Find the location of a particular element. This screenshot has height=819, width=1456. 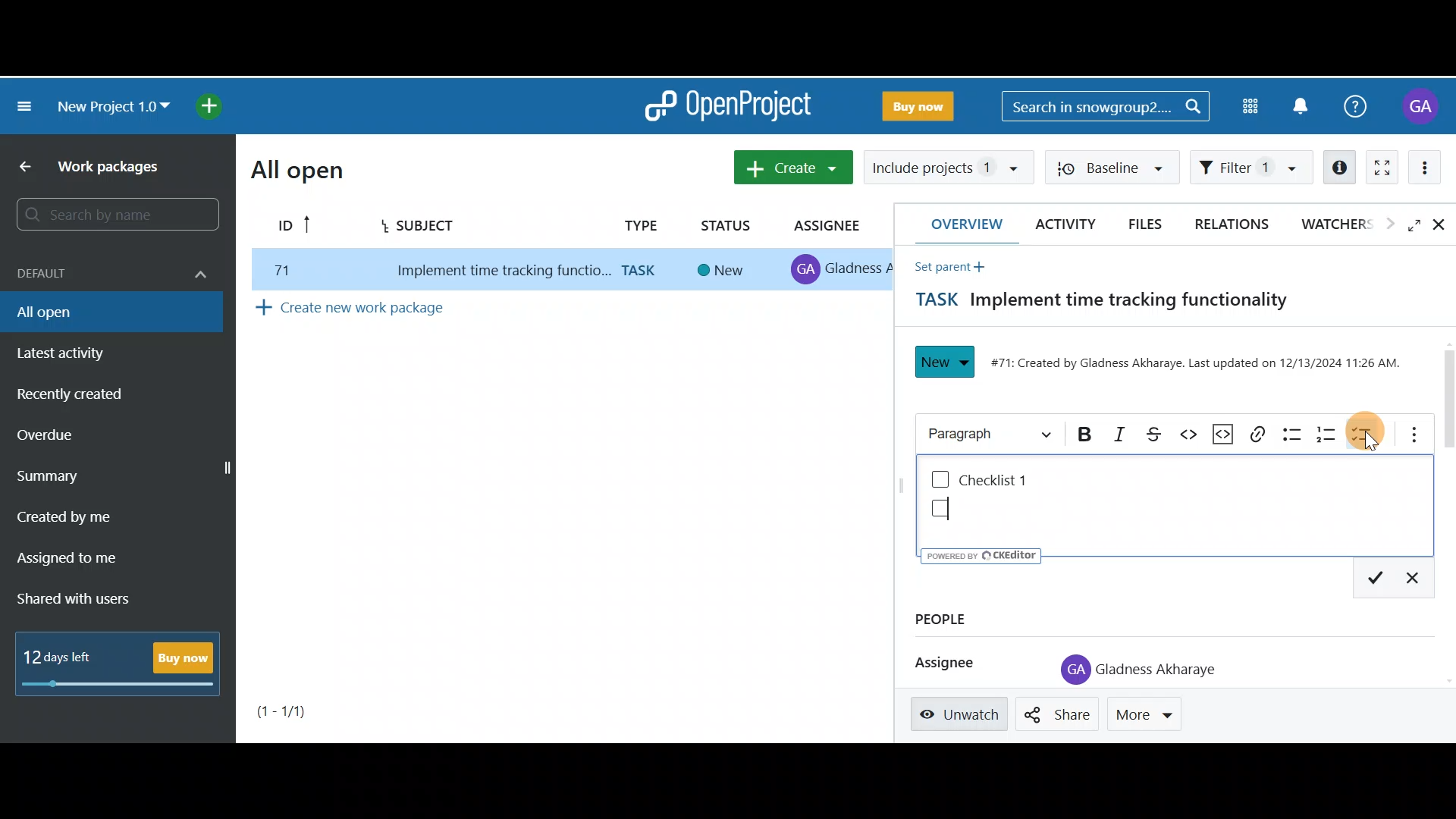

Assignee is located at coordinates (831, 226).